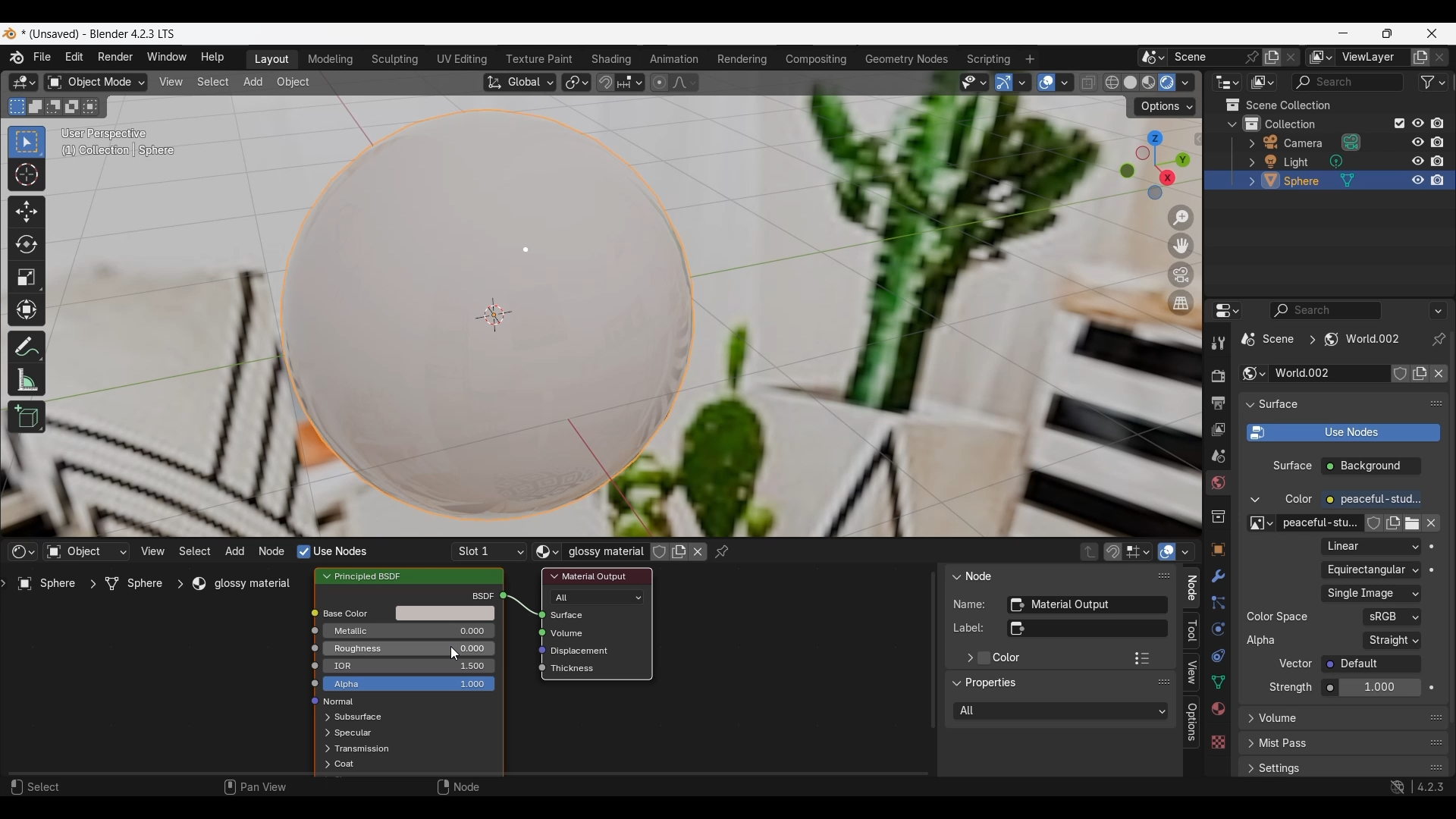  What do you see at coordinates (327, 576) in the screenshot?
I see `Collapse principled BSDF` at bounding box center [327, 576].